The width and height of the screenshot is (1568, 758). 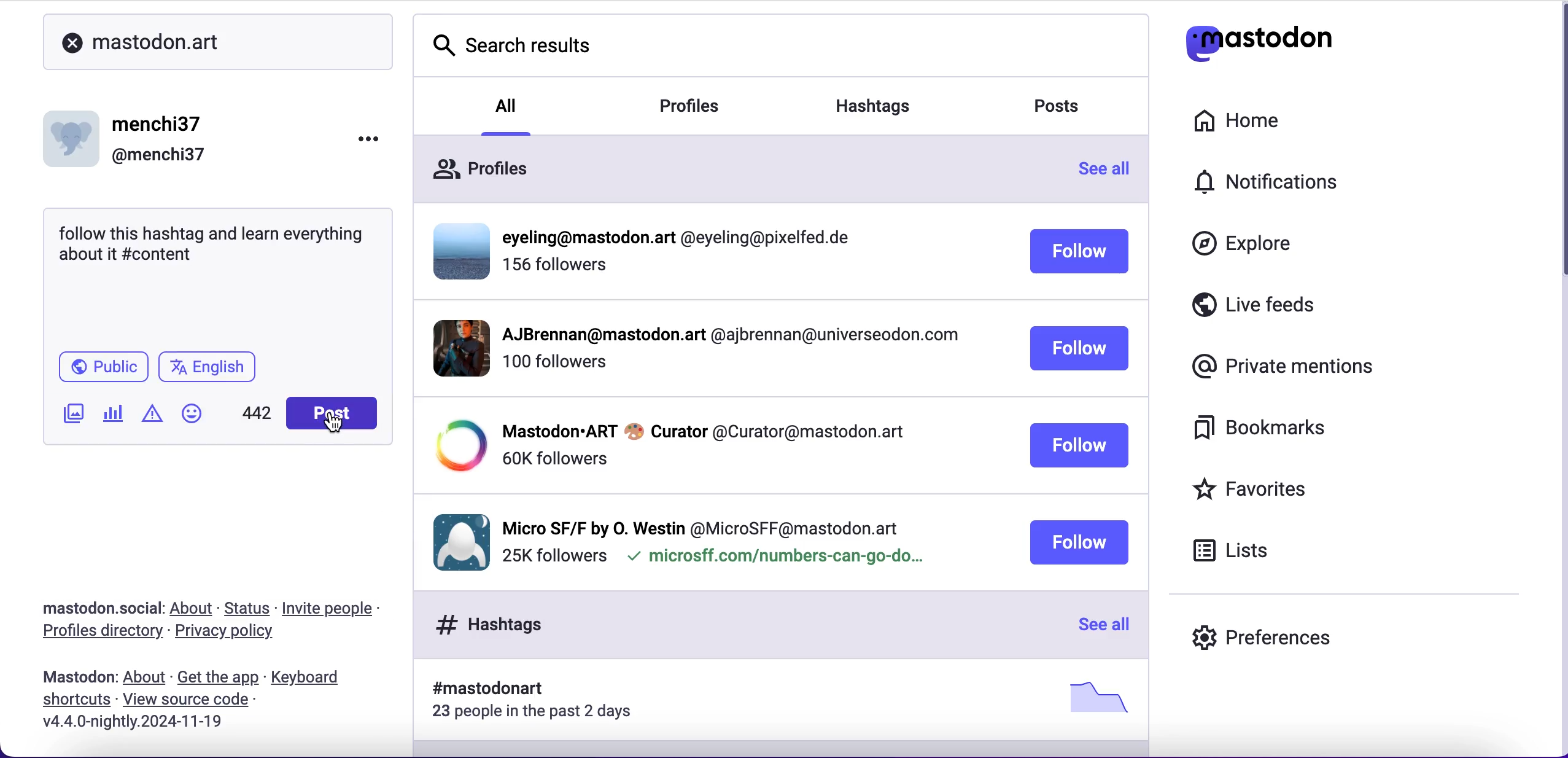 I want to click on hashtags, so click(x=889, y=101).